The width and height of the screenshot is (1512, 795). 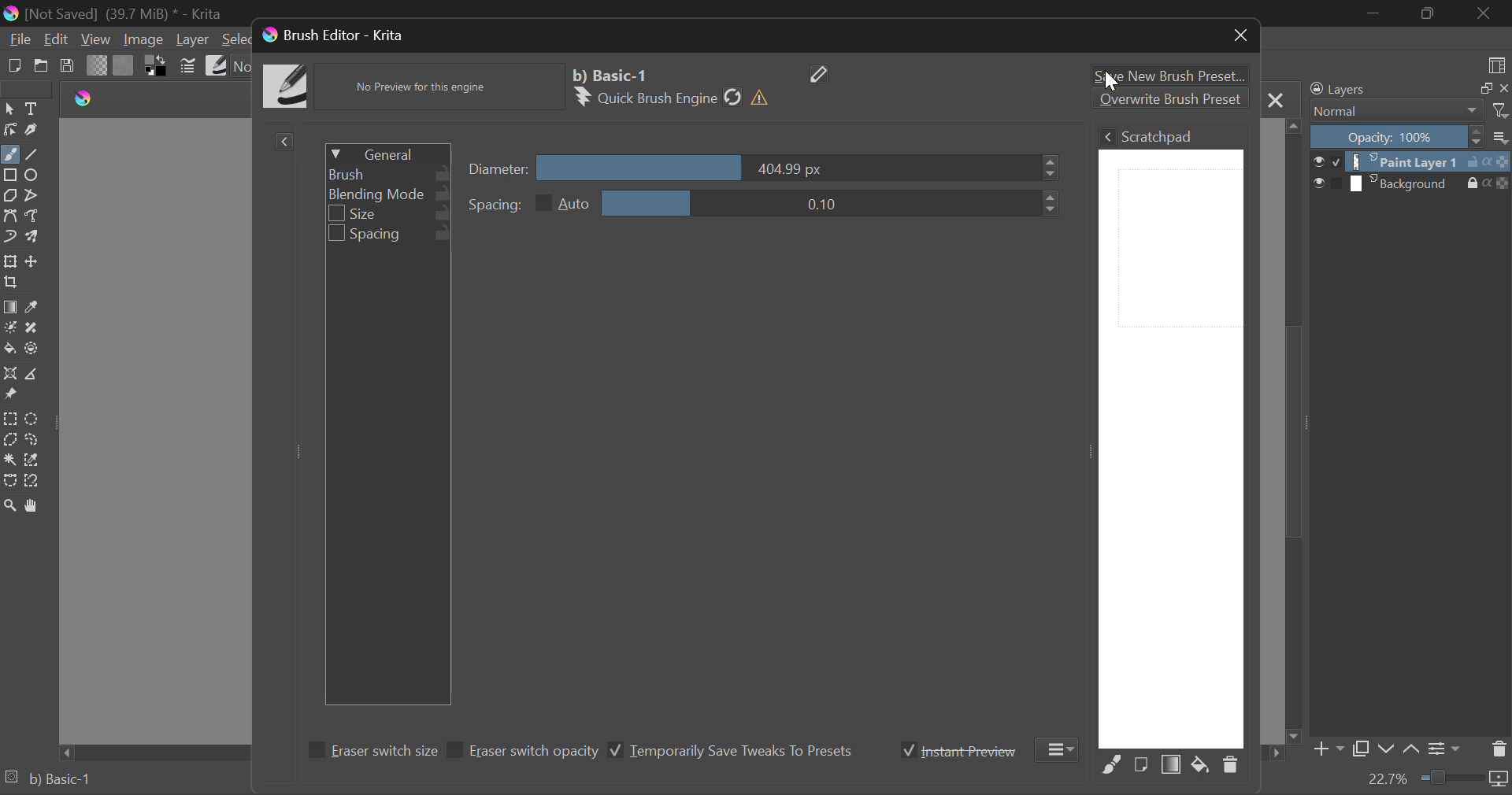 I want to click on Brush Engine, so click(x=675, y=98).